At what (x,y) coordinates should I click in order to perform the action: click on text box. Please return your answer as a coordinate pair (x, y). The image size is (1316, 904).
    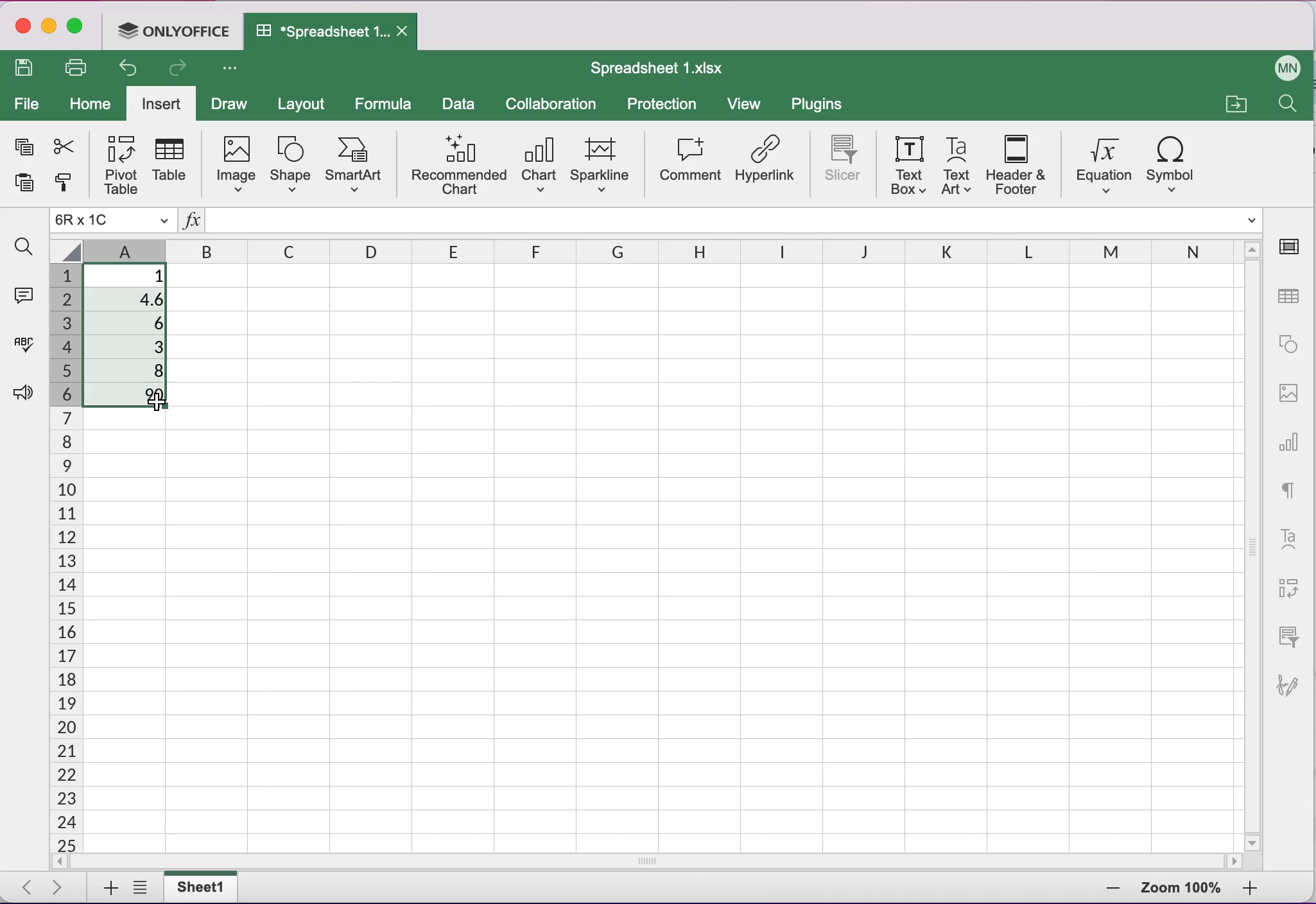
    Looking at the image, I should click on (906, 164).